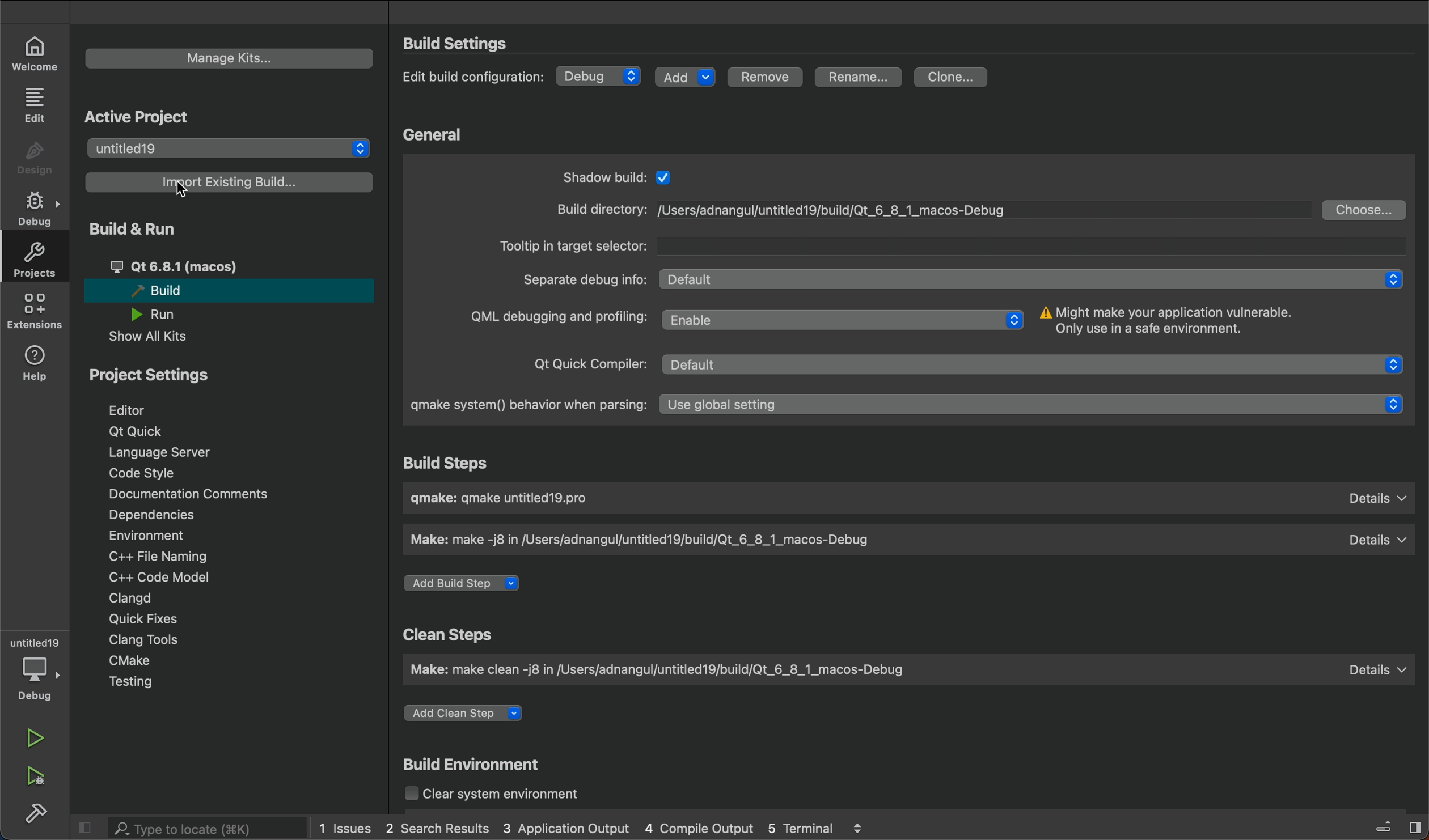 This screenshot has height=840, width=1429. What do you see at coordinates (32, 260) in the screenshot?
I see `projects` at bounding box center [32, 260].